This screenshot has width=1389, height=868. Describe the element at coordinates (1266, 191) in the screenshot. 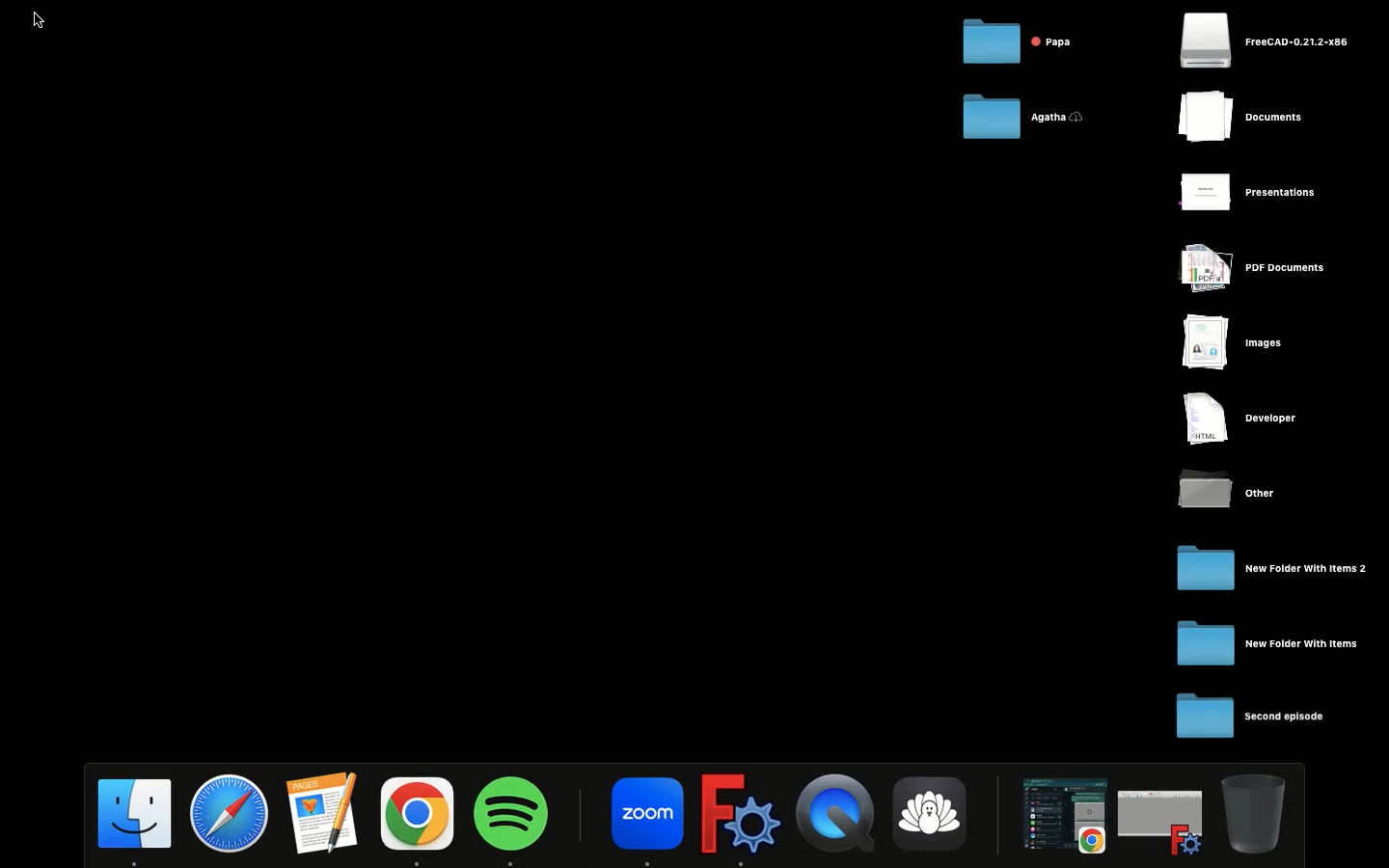

I see `Presentations` at that location.